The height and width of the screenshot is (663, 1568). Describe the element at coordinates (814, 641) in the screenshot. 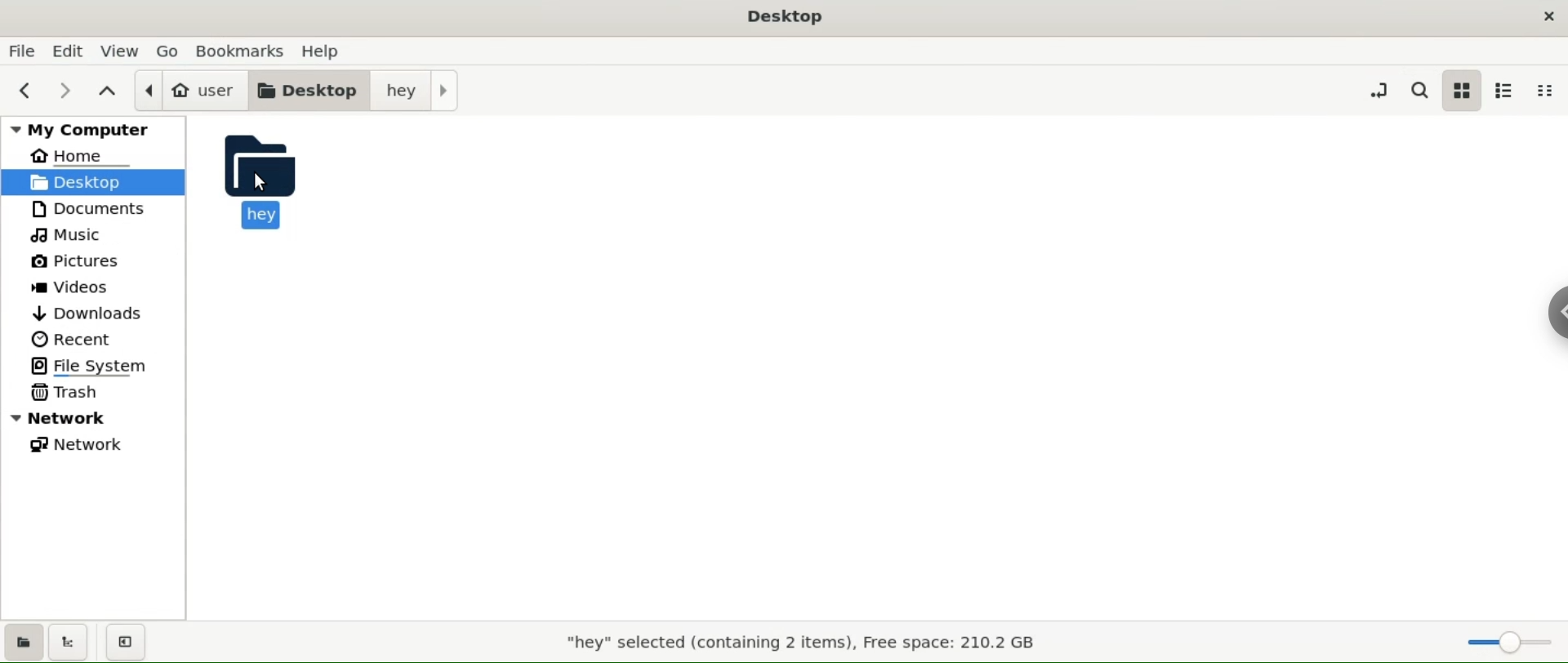

I see `"hey" selected (containing 2 items), Free Space: 210.2 GB` at that location.